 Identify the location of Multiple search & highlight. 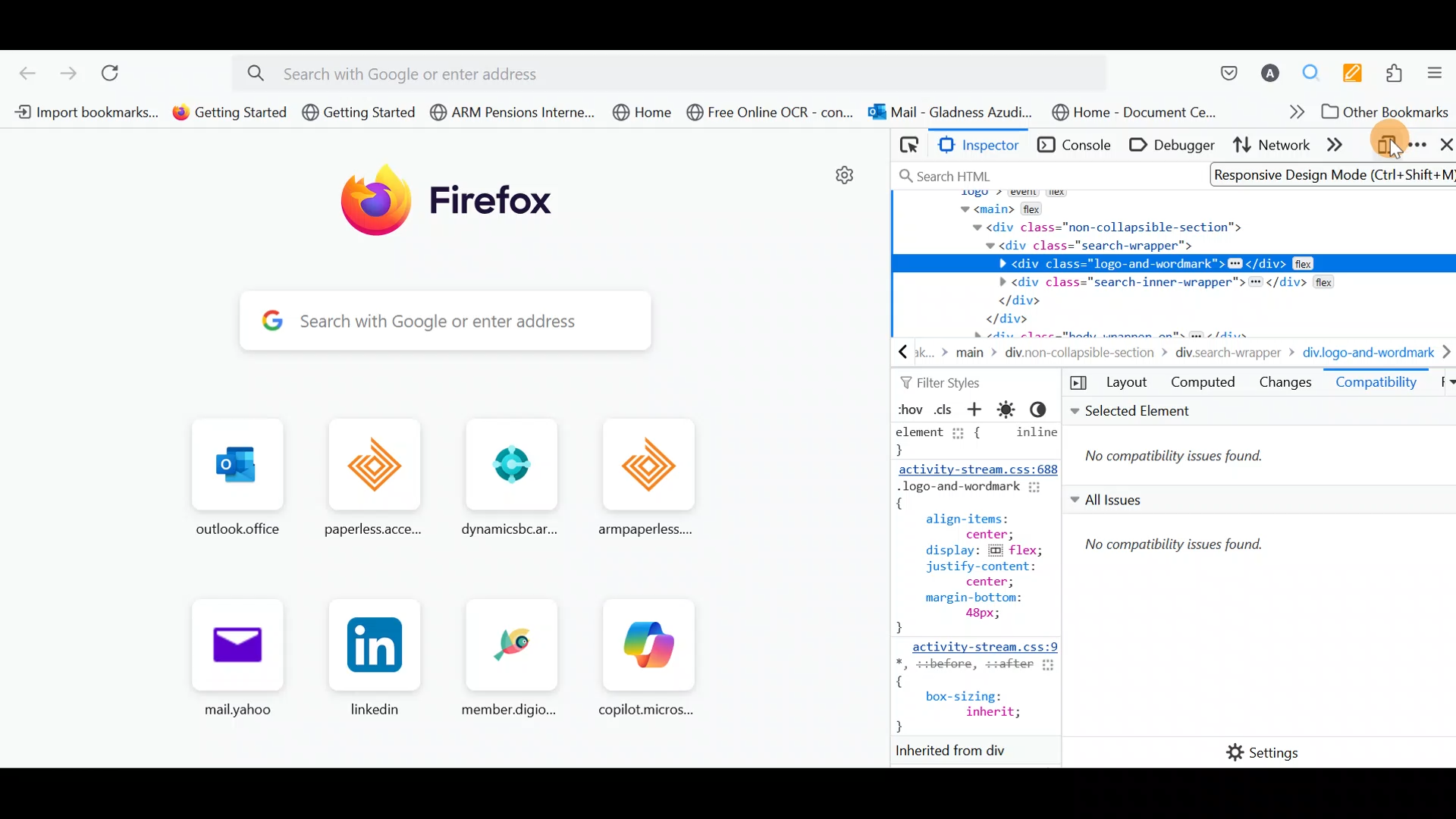
(1313, 69).